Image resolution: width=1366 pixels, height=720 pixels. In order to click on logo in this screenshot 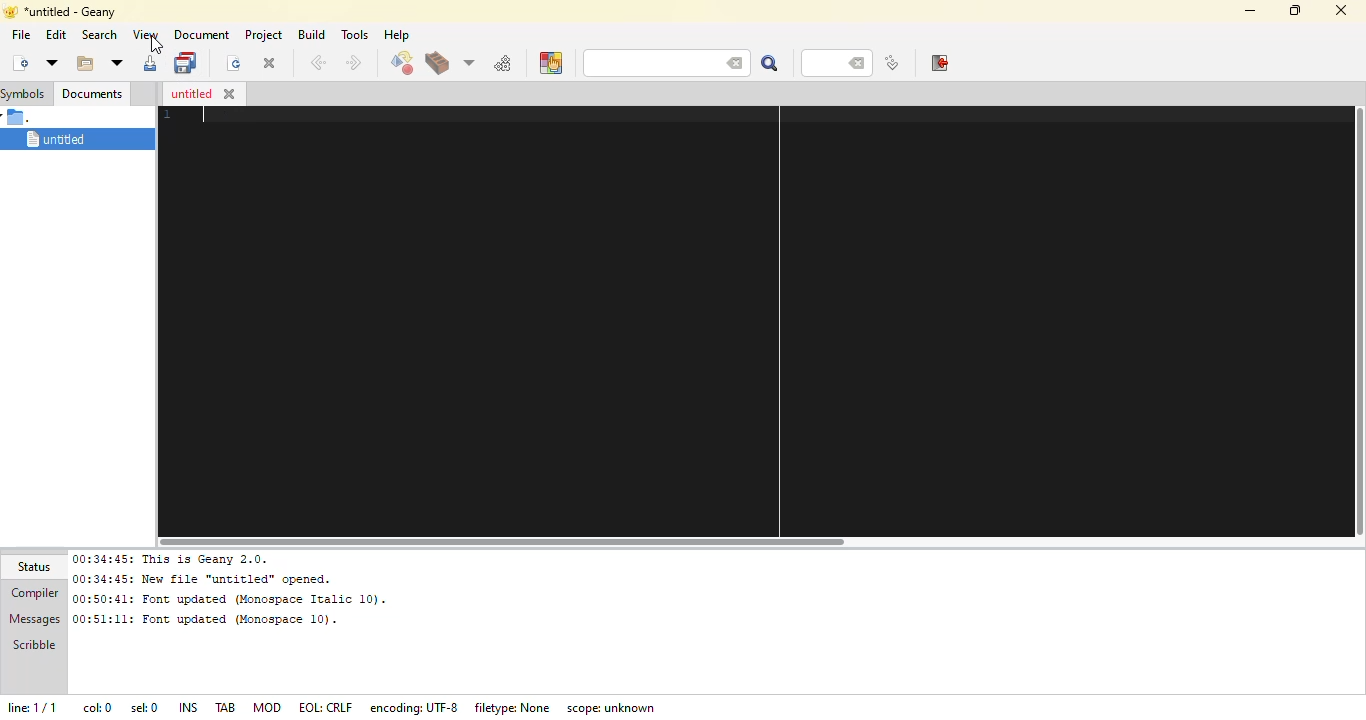, I will do `click(9, 11)`.